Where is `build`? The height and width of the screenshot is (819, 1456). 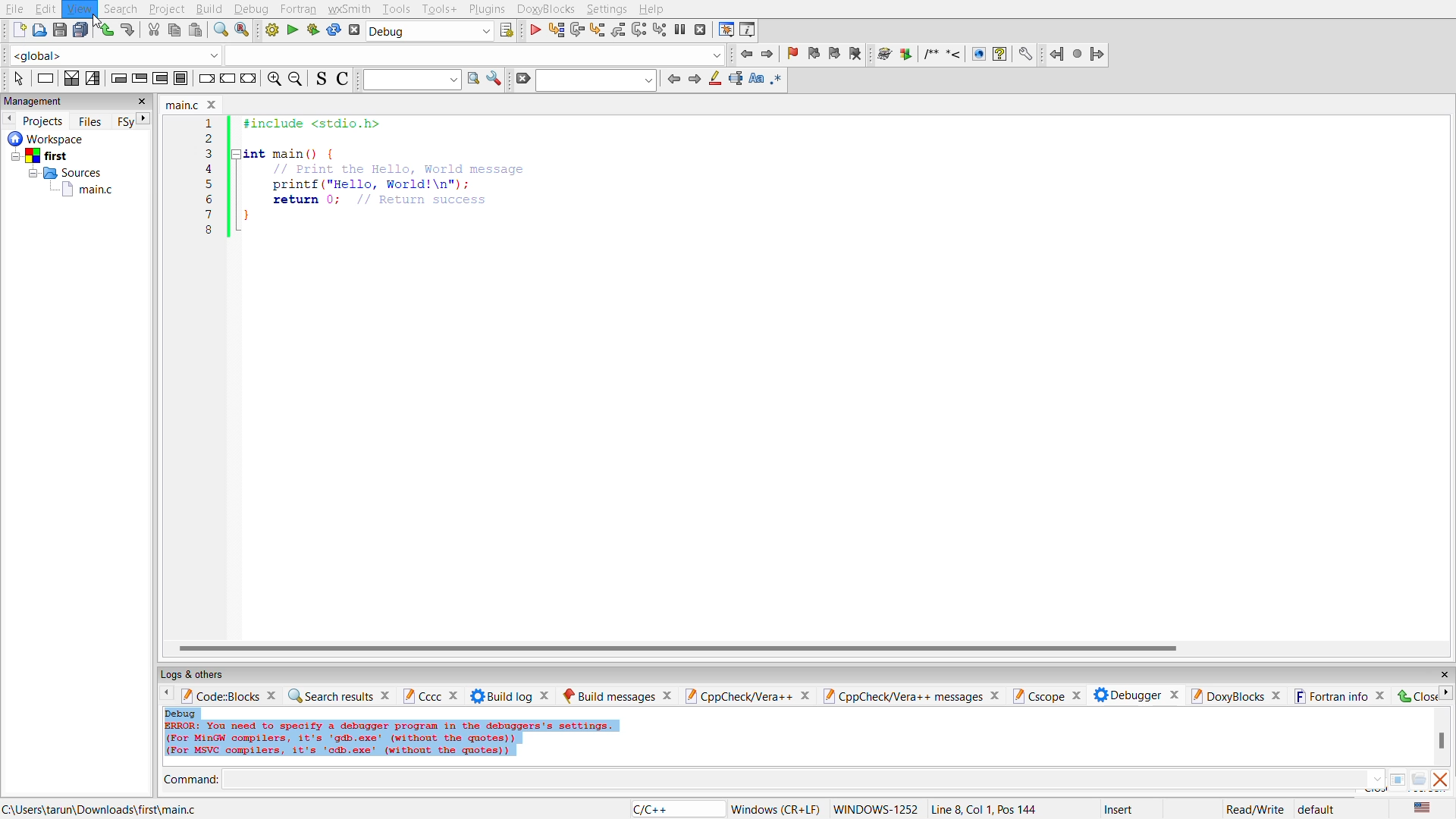
build is located at coordinates (270, 33).